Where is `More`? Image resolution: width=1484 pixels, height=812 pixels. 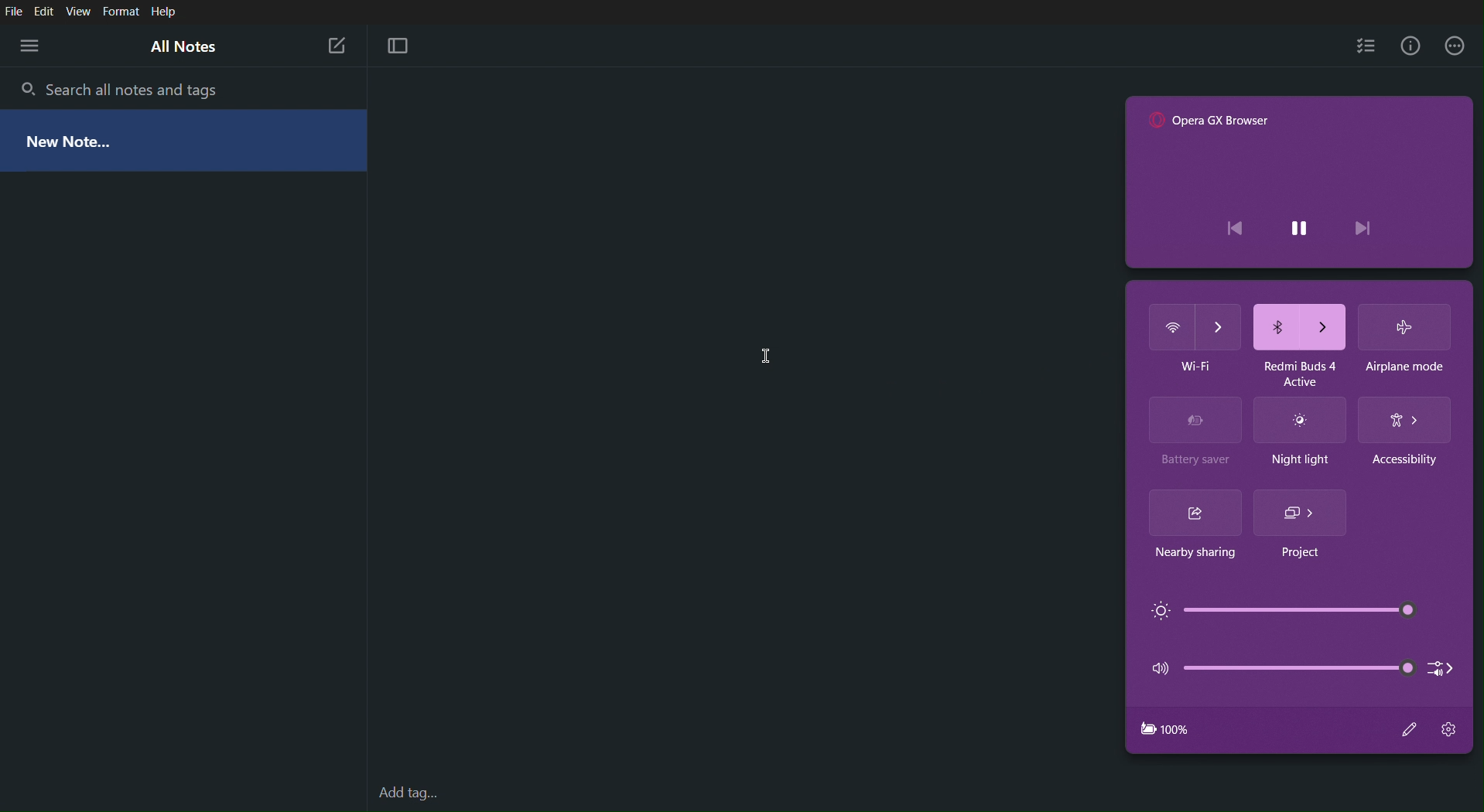 More is located at coordinates (1455, 46).